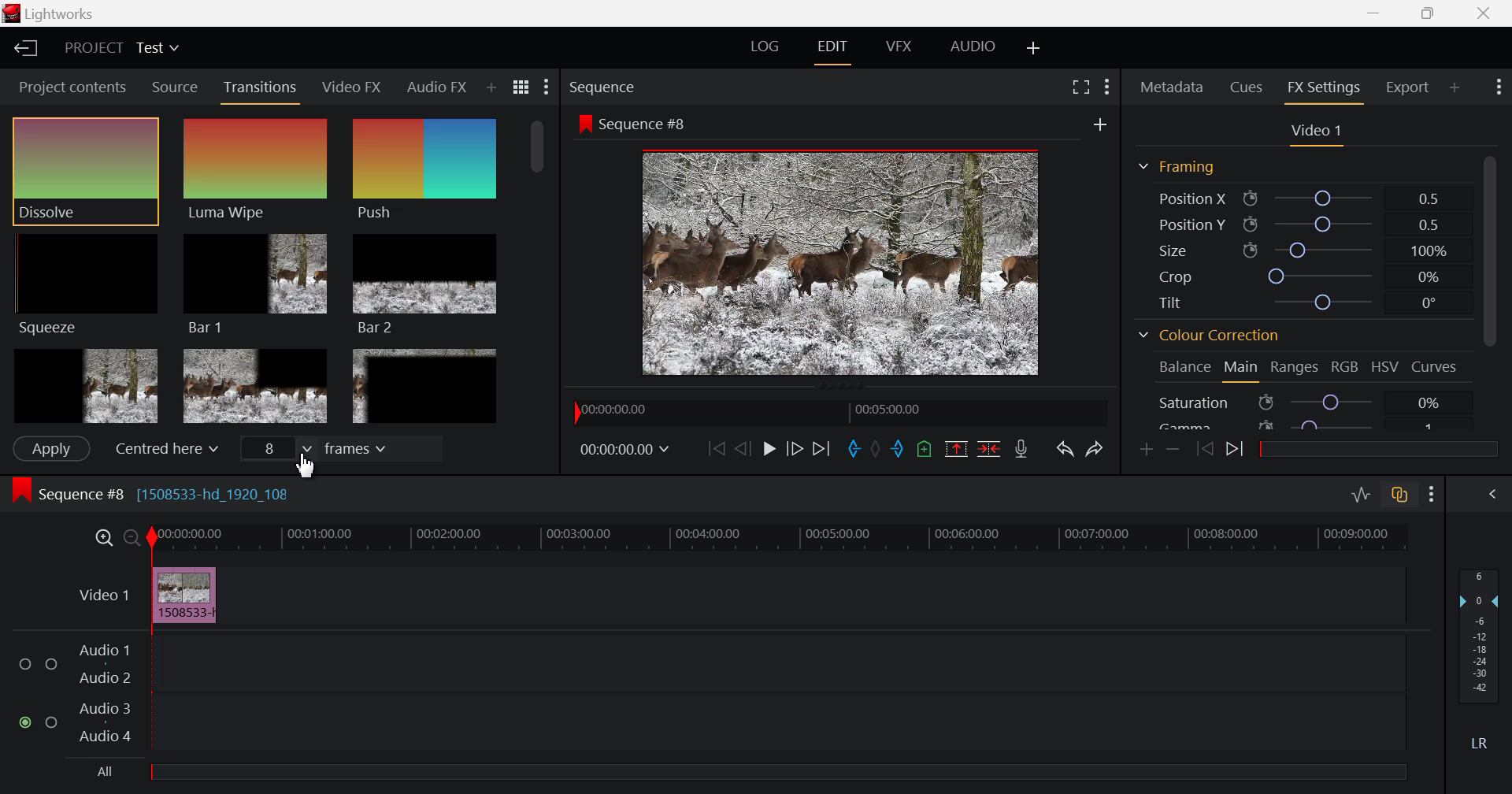 Image resolution: width=1512 pixels, height=794 pixels. Describe the element at coordinates (535, 277) in the screenshot. I see `Scroll Bar` at that location.